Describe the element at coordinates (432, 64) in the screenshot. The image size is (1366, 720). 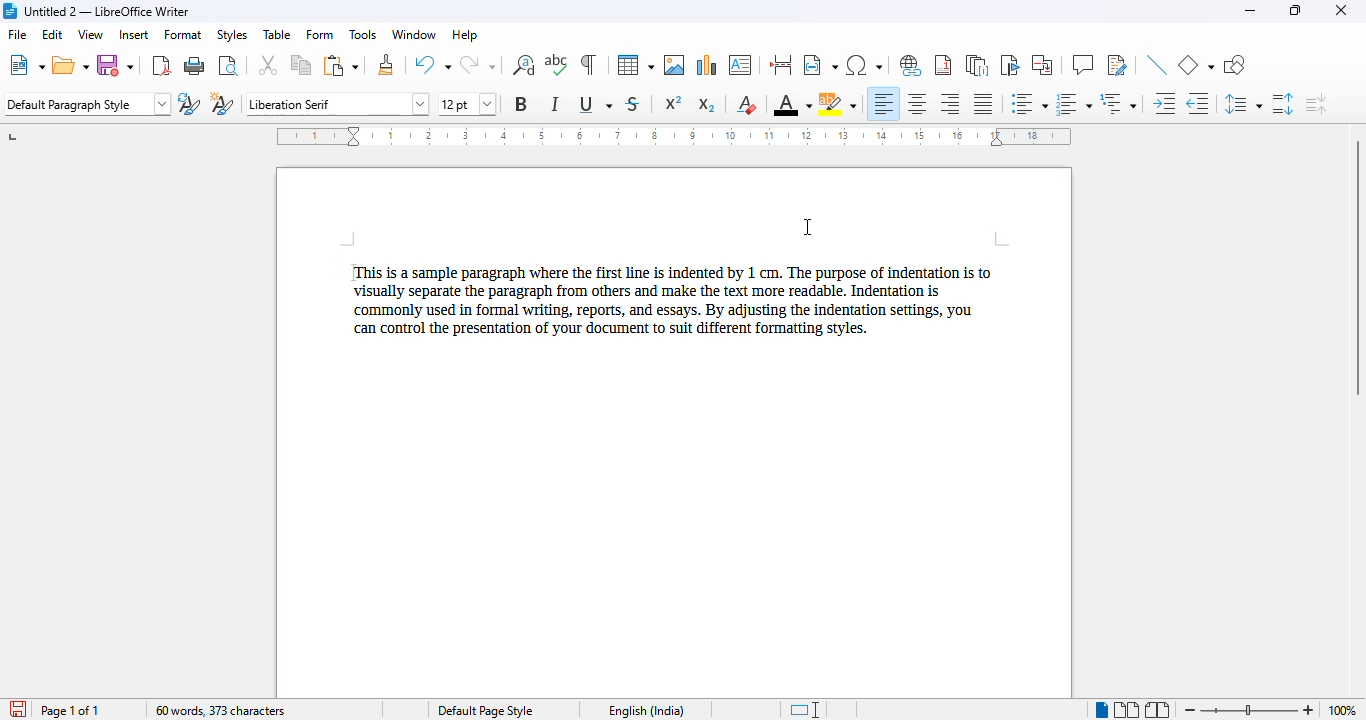
I see `undo` at that location.